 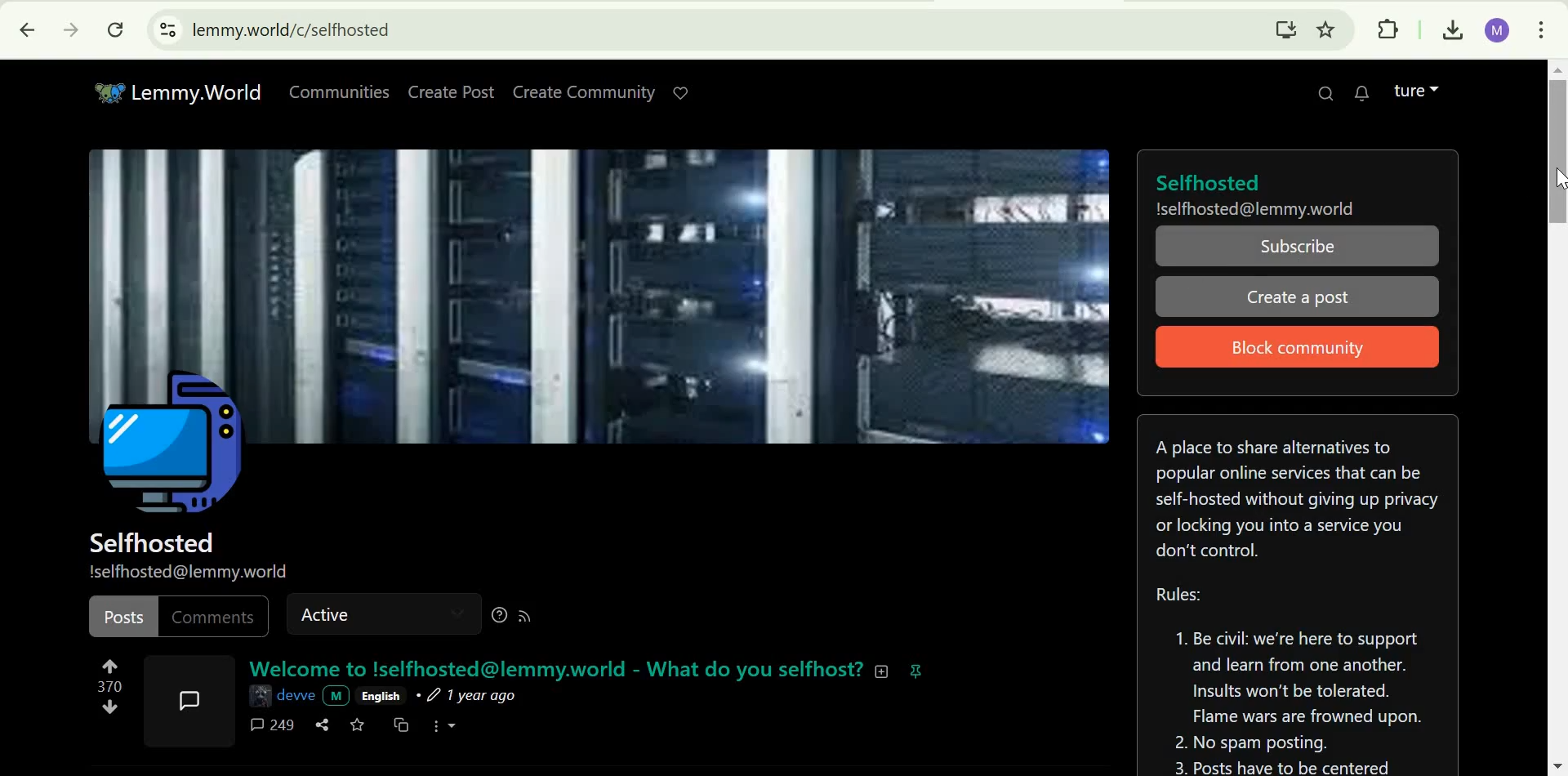 What do you see at coordinates (336, 696) in the screenshot?
I see `mod` at bounding box center [336, 696].